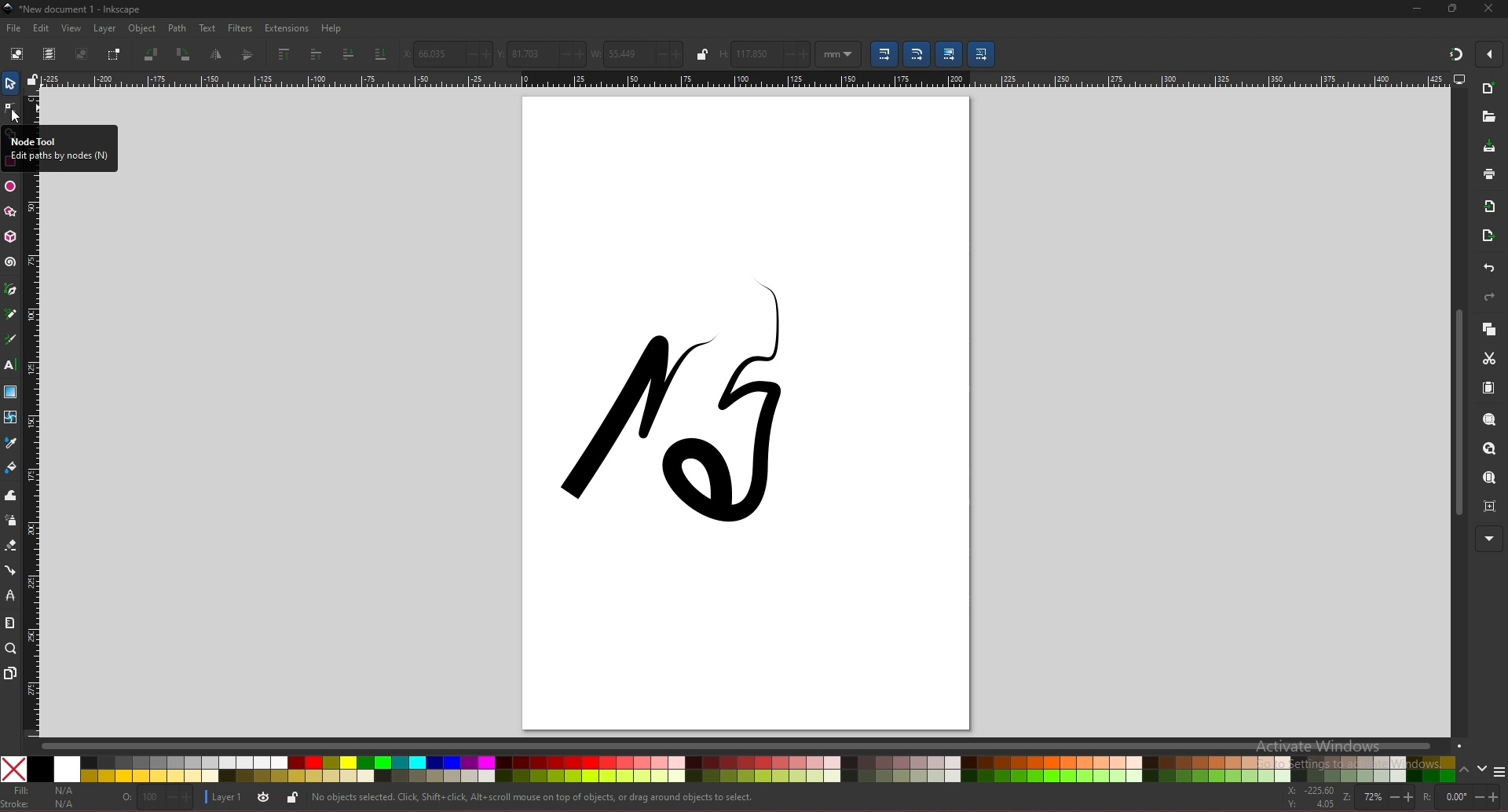 Image resolution: width=1508 pixels, height=812 pixels. What do you see at coordinates (11, 264) in the screenshot?
I see `spiral` at bounding box center [11, 264].